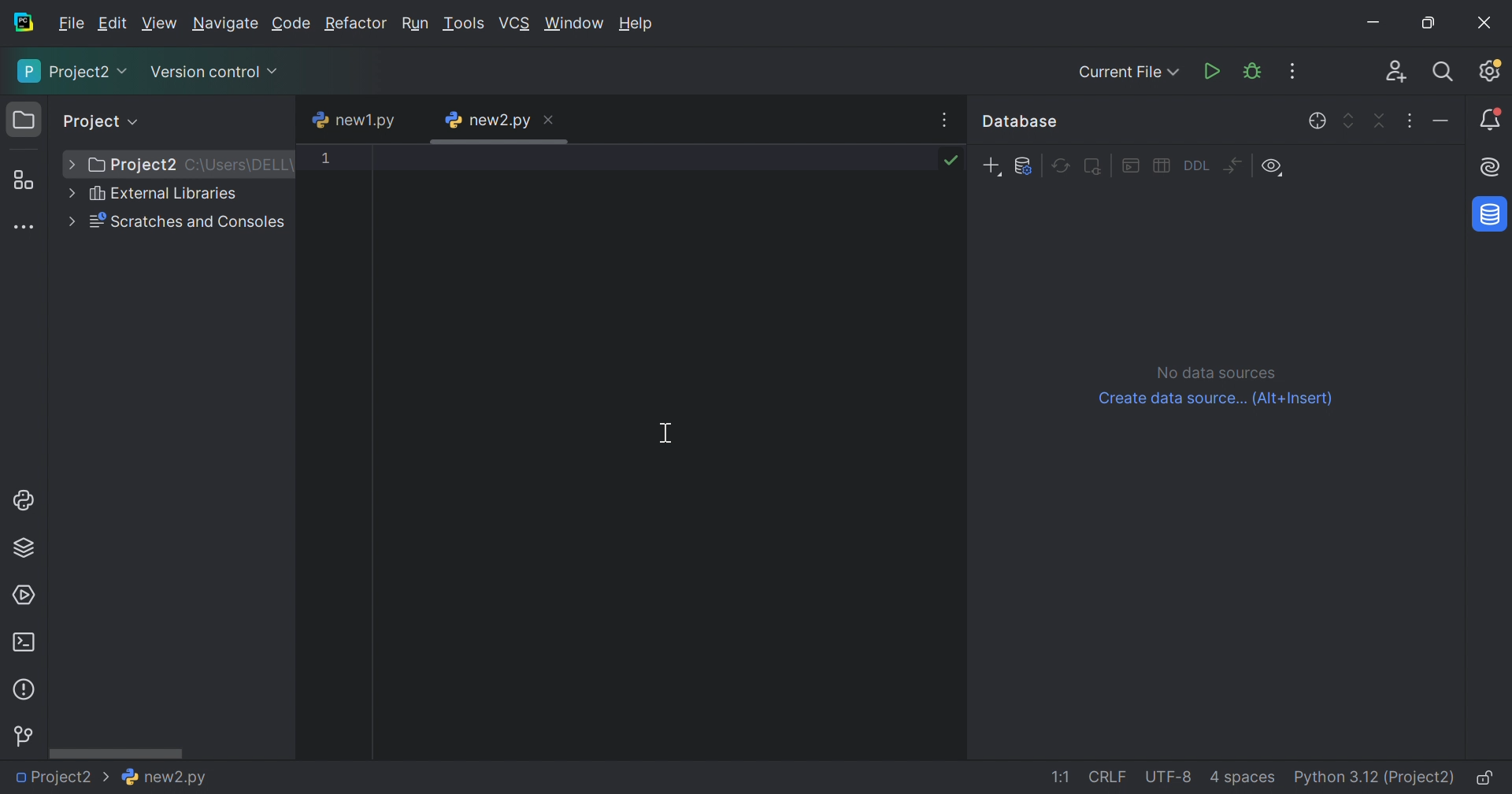 The image size is (1512, 794). I want to click on Help, so click(637, 24).